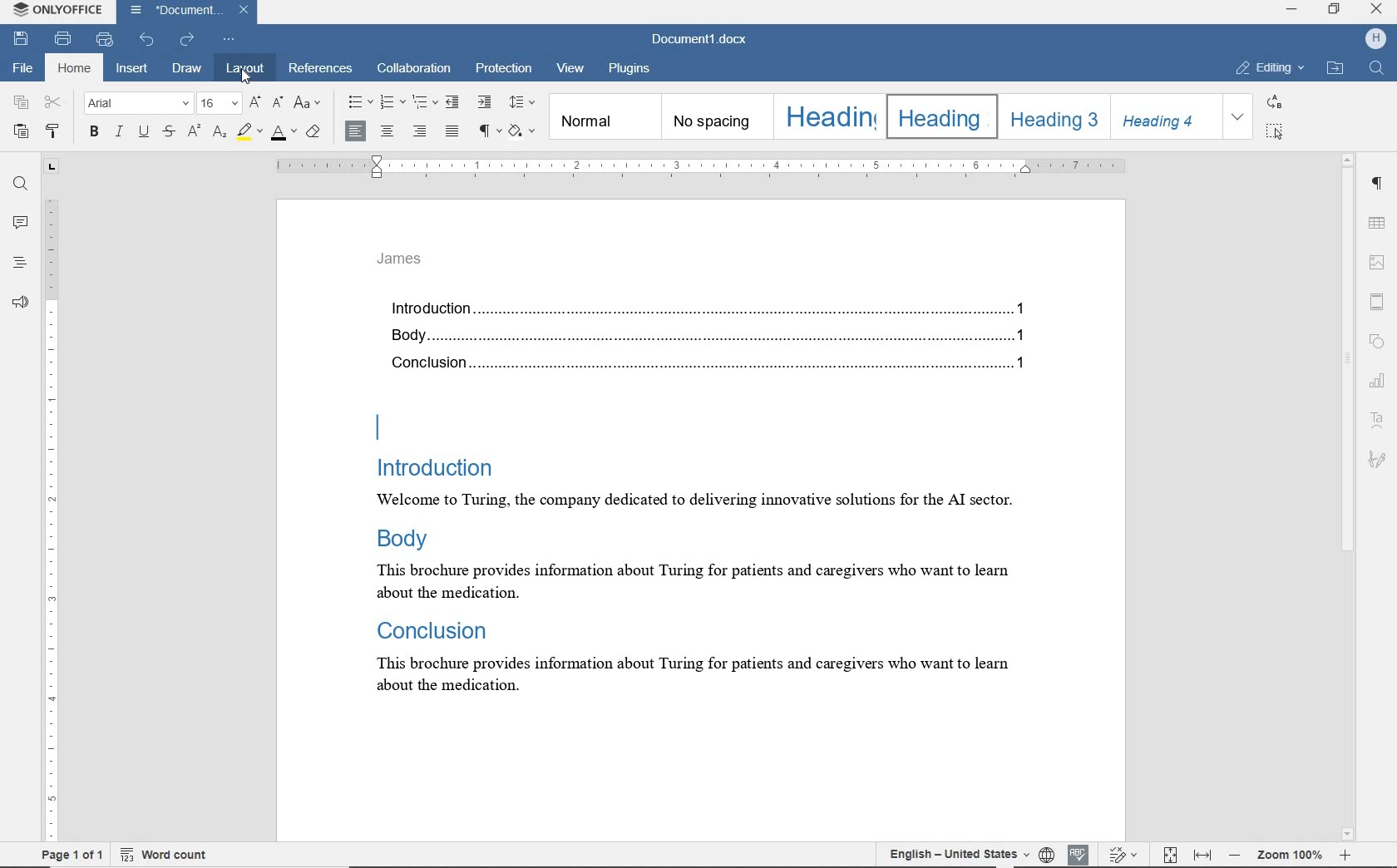 The width and height of the screenshot is (1397, 868). I want to click on track changes, so click(1125, 854).